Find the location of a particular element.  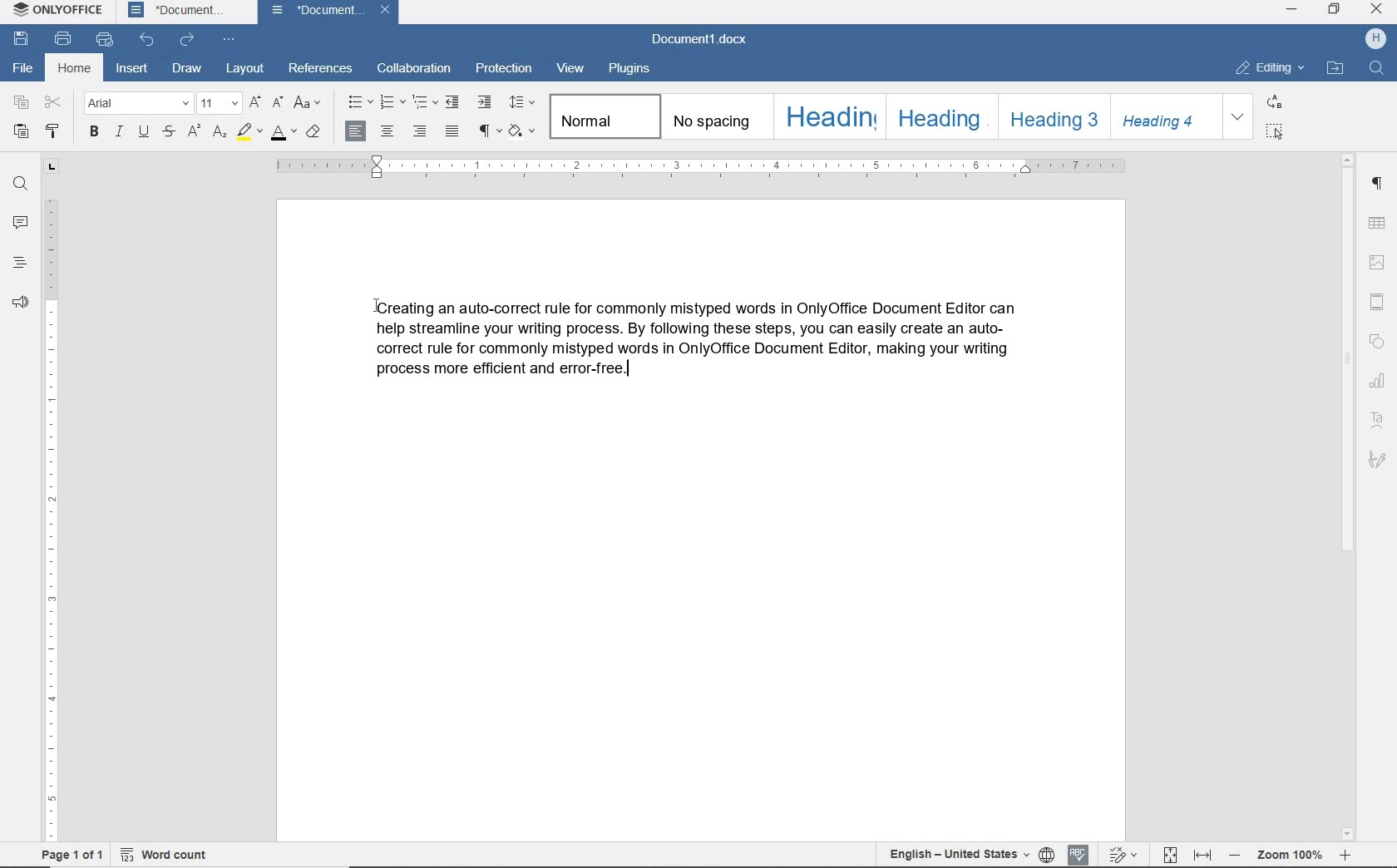

font color is located at coordinates (285, 133).